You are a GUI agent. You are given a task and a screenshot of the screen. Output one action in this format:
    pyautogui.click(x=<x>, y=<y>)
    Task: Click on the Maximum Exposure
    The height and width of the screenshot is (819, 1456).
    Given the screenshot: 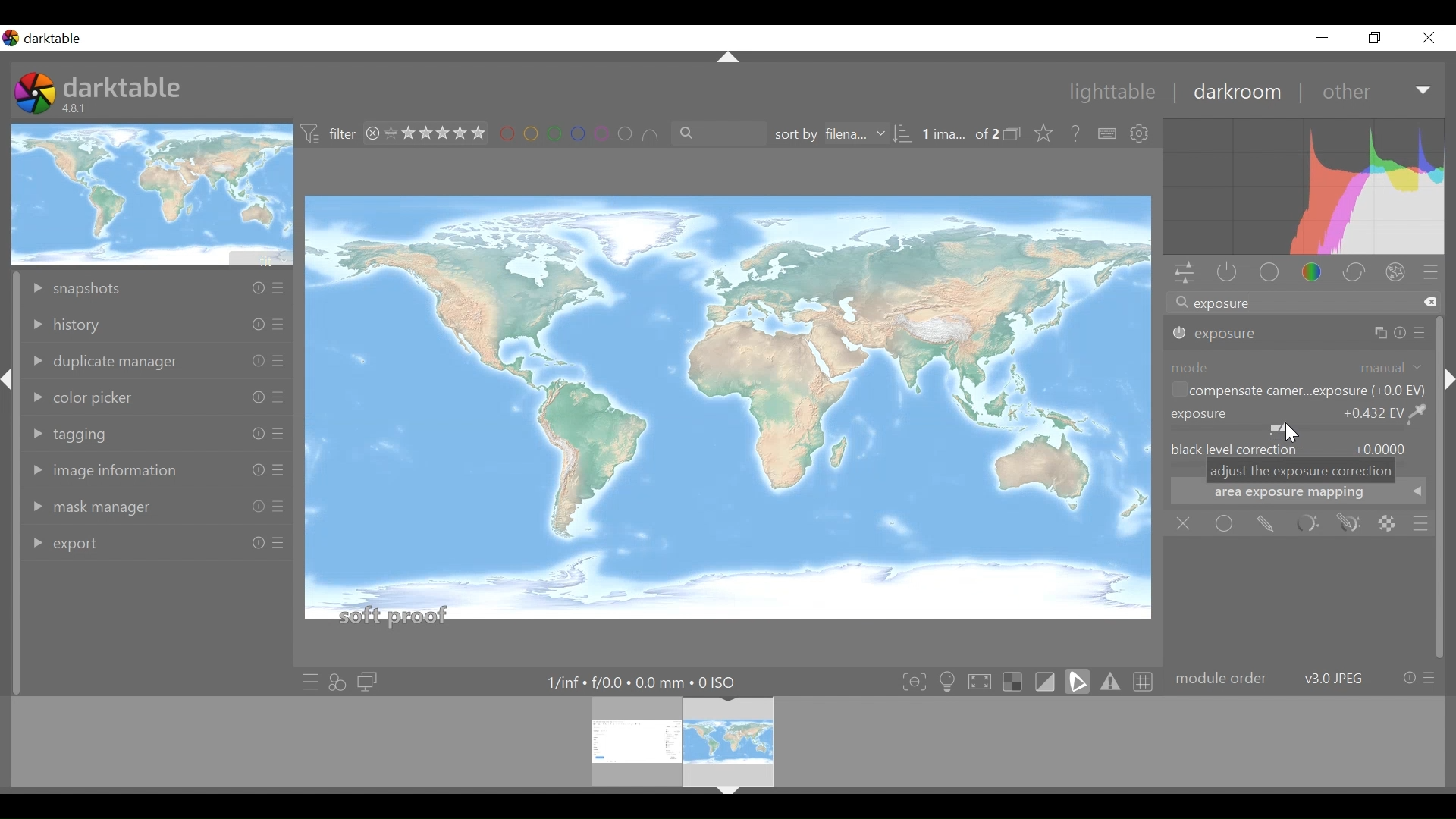 What is the action you would take?
    pyautogui.click(x=648, y=682)
    